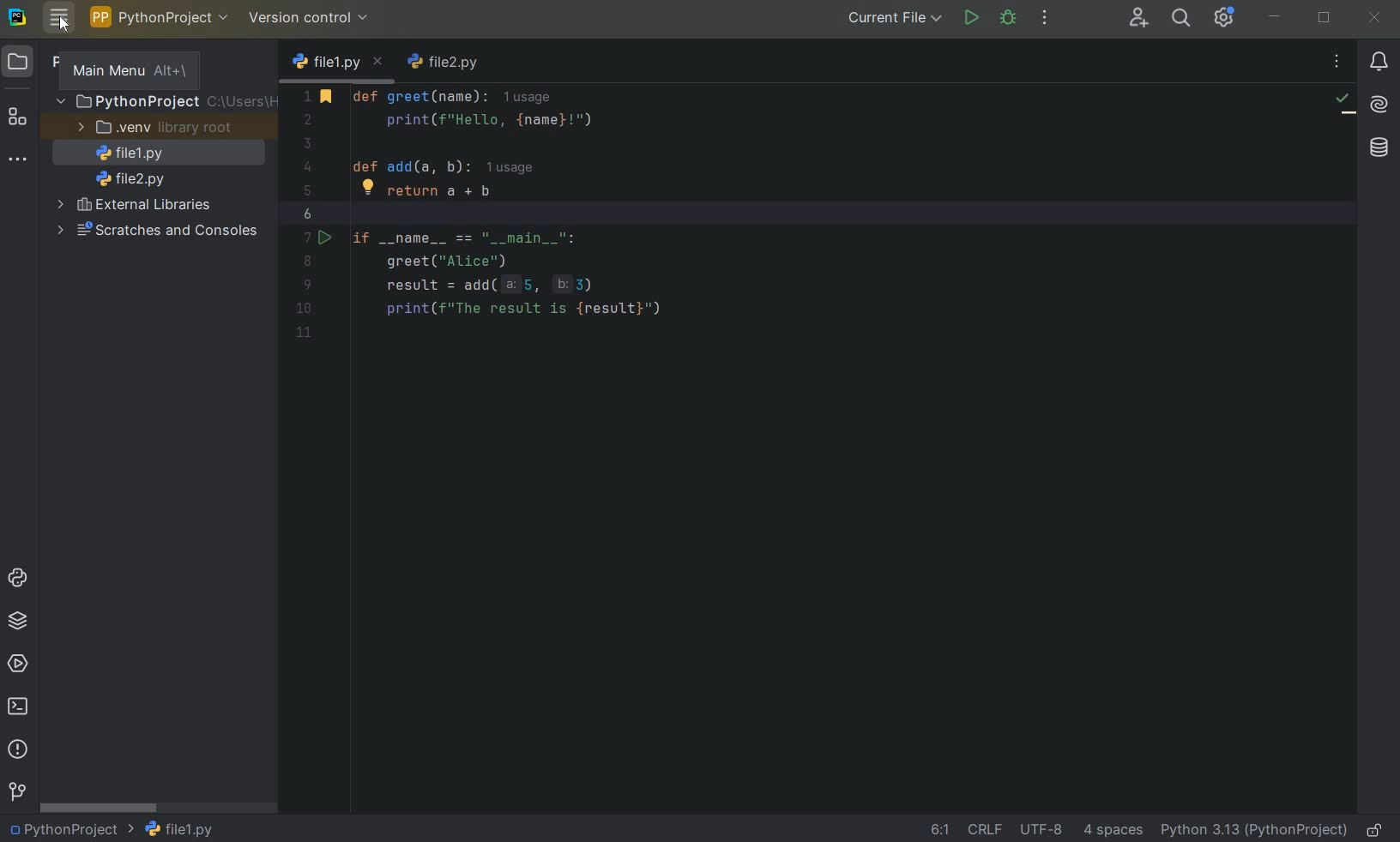 Image resolution: width=1400 pixels, height=842 pixels. What do you see at coordinates (890, 20) in the screenshot?
I see `current file` at bounding box center [890, 20].